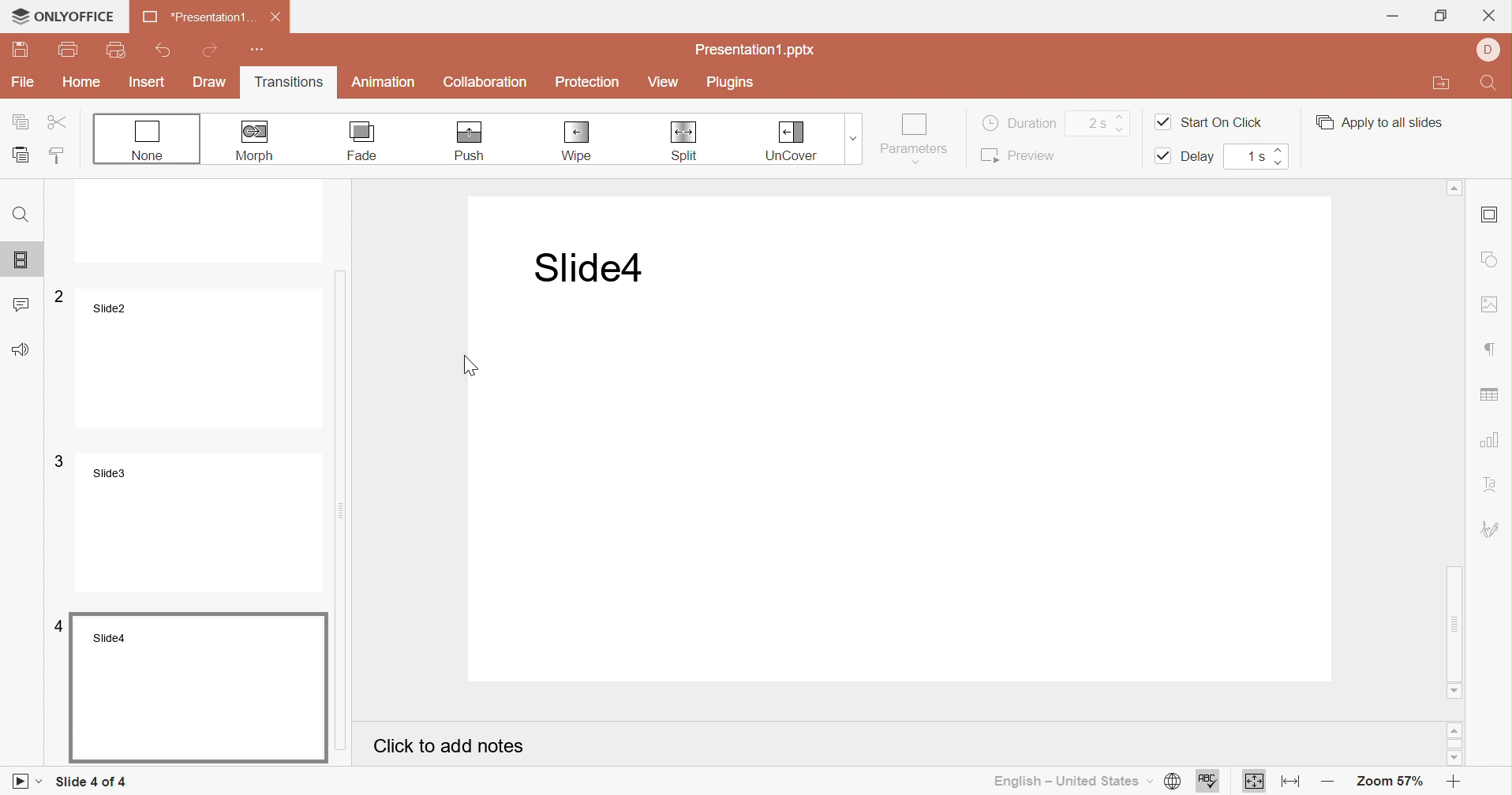  What do you see at coordinates (1255, 783) in the screenshot?
I see `Fit to slide` at bounding box center [1255, 783].